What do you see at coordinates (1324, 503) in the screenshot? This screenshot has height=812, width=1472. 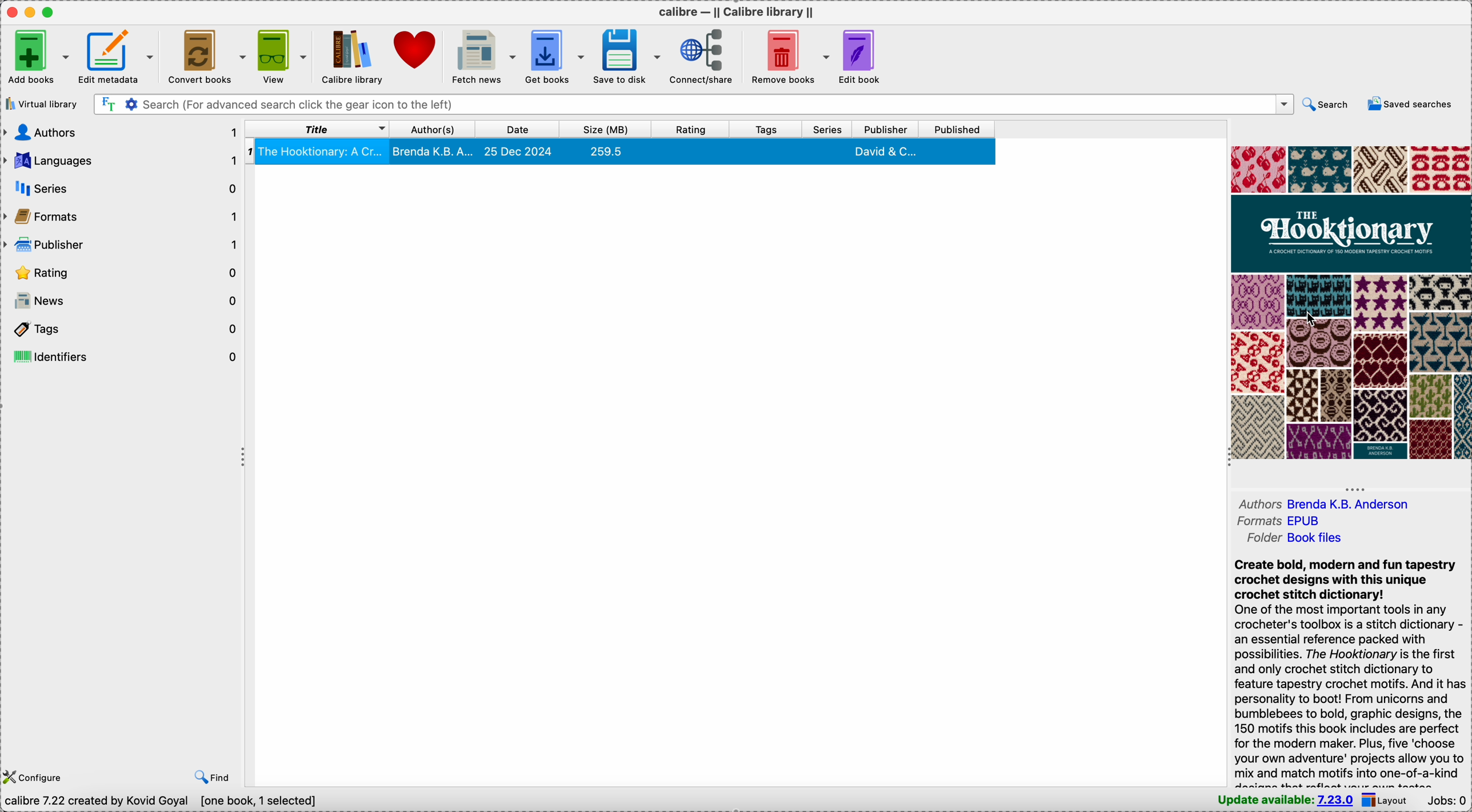 I see `authors` at bounding box center [1324, 503].